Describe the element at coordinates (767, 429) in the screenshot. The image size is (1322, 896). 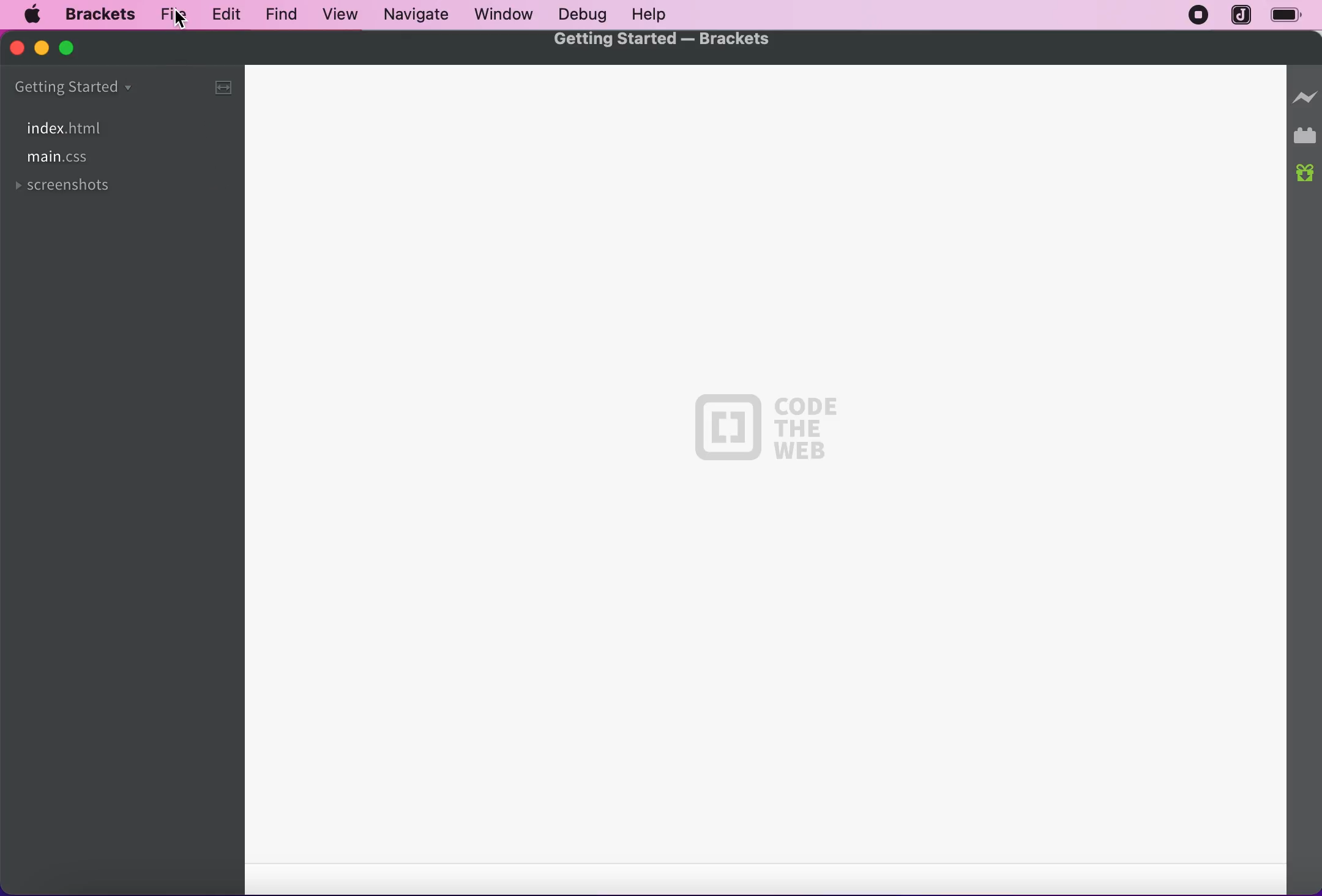
I see `CODE THE WEB logo` at that location.